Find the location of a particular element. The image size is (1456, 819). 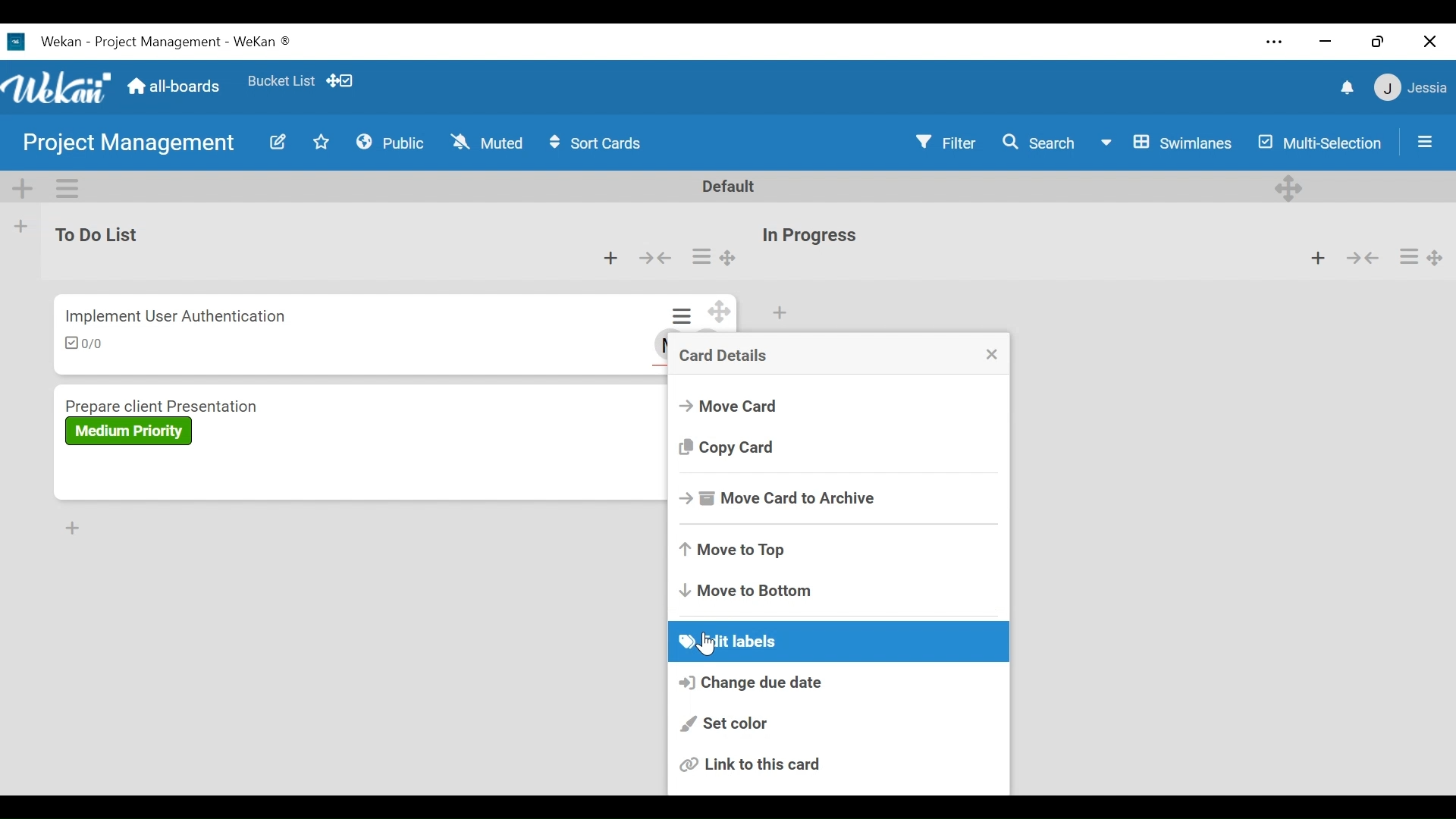

Card actions is located at coordinates (685, 317).